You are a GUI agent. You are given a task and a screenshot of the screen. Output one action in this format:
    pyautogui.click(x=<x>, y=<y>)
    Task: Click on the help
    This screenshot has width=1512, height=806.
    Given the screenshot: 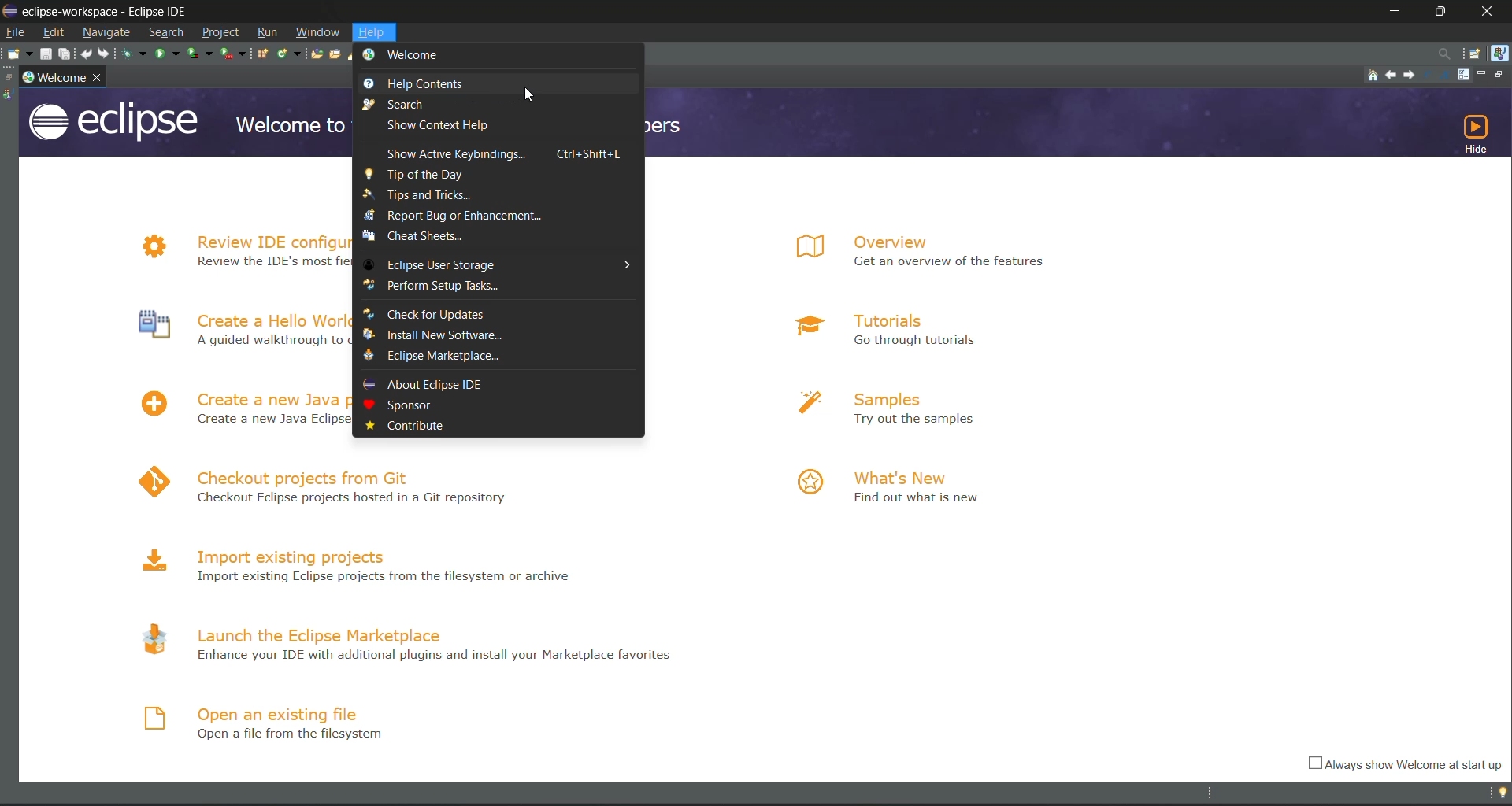 What is the action you would take?
    pyautogui.click(x=372, y=32)
    